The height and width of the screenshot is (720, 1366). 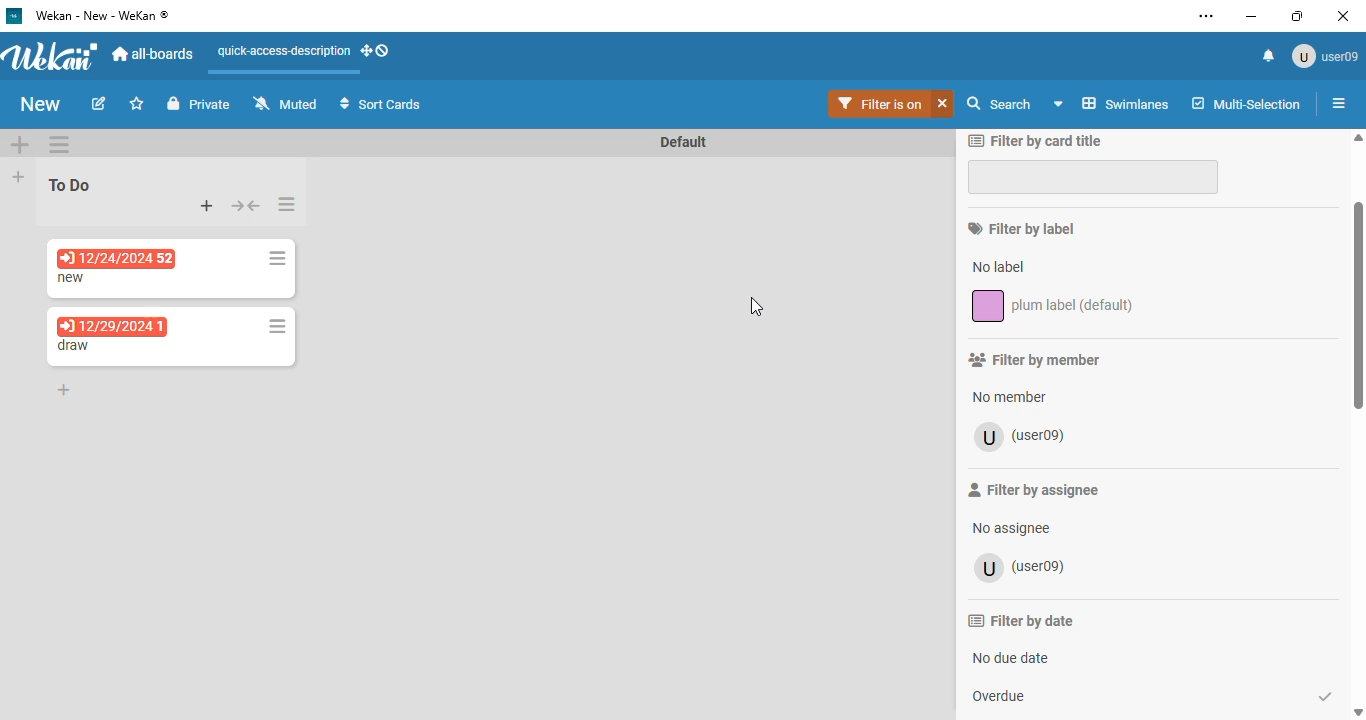 I want to click on muted, so click(x=285, y=103).